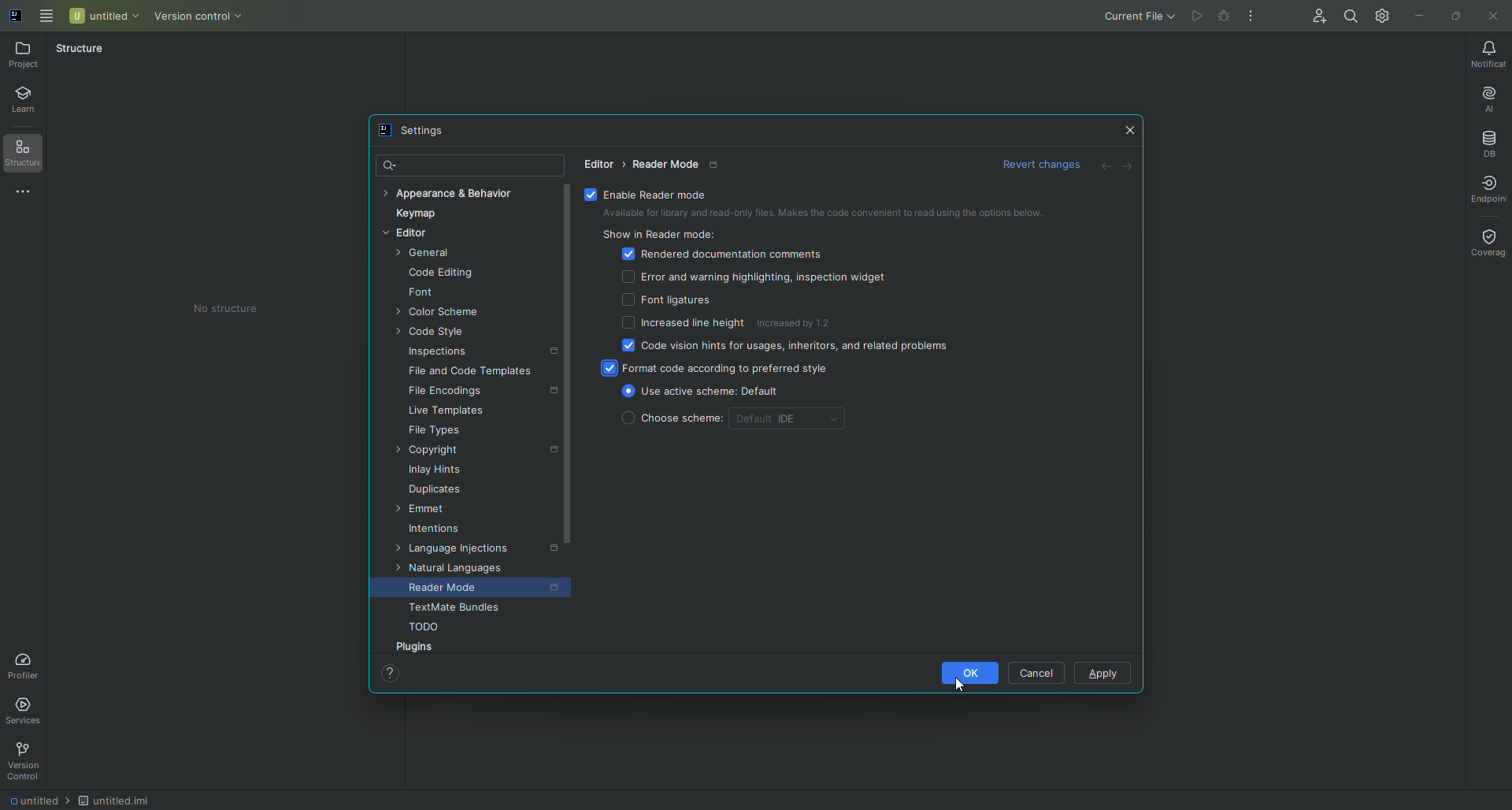  I want to click on Search, so click(390, 164).